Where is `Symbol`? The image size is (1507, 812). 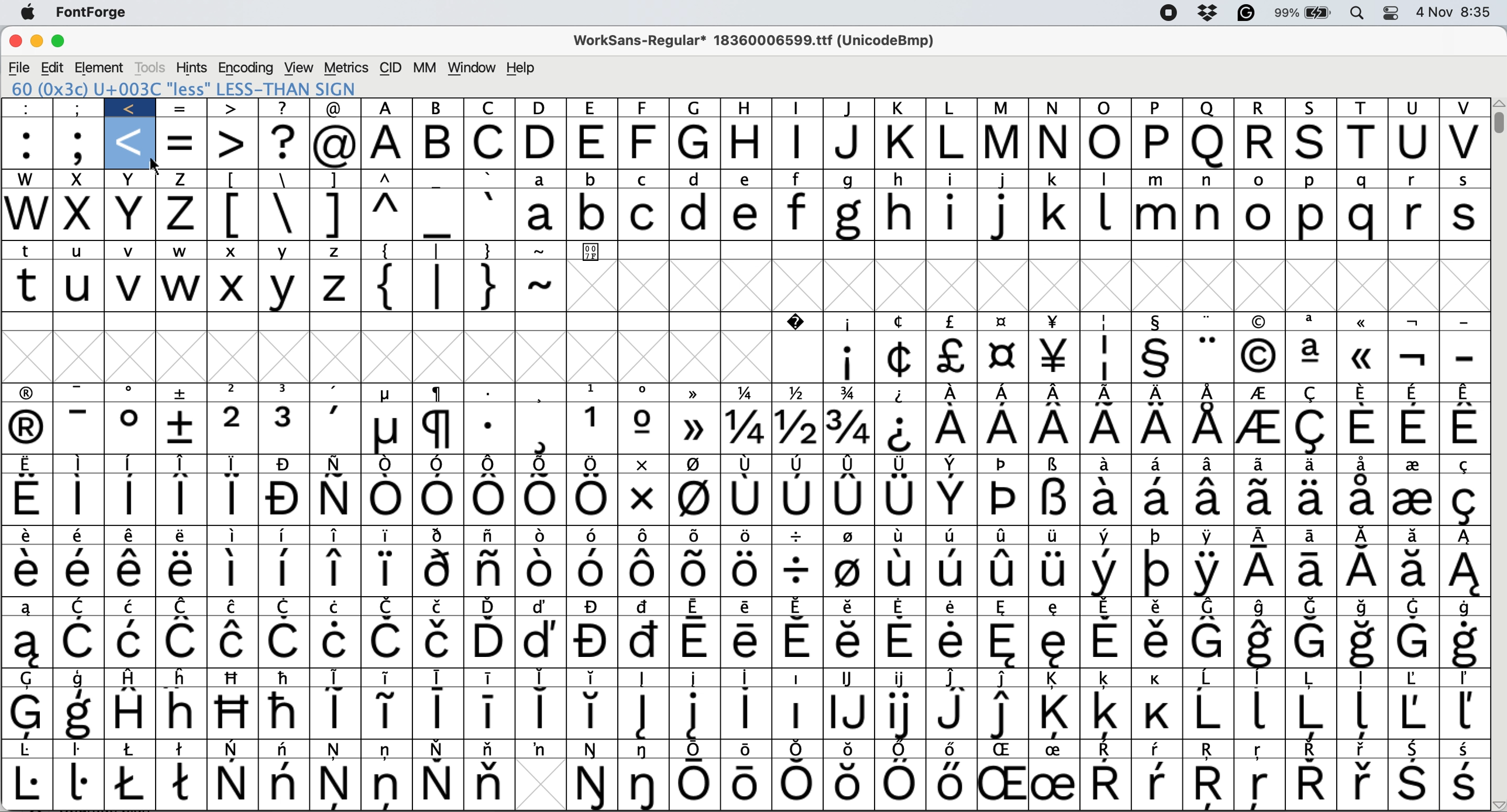 Symbol is located at coordinates (388, 749).